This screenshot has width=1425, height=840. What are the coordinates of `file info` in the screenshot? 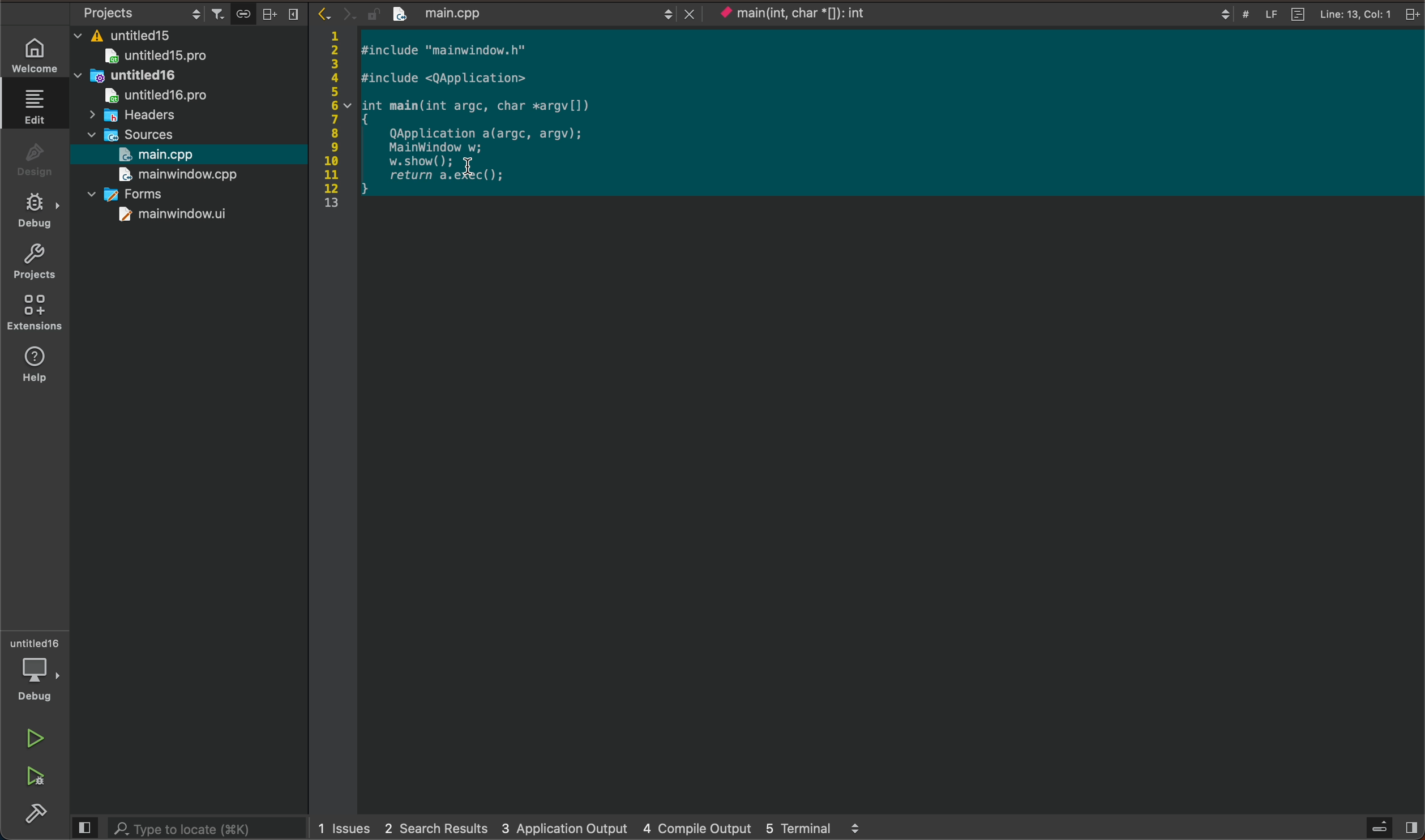 It's located at (1315, 14).